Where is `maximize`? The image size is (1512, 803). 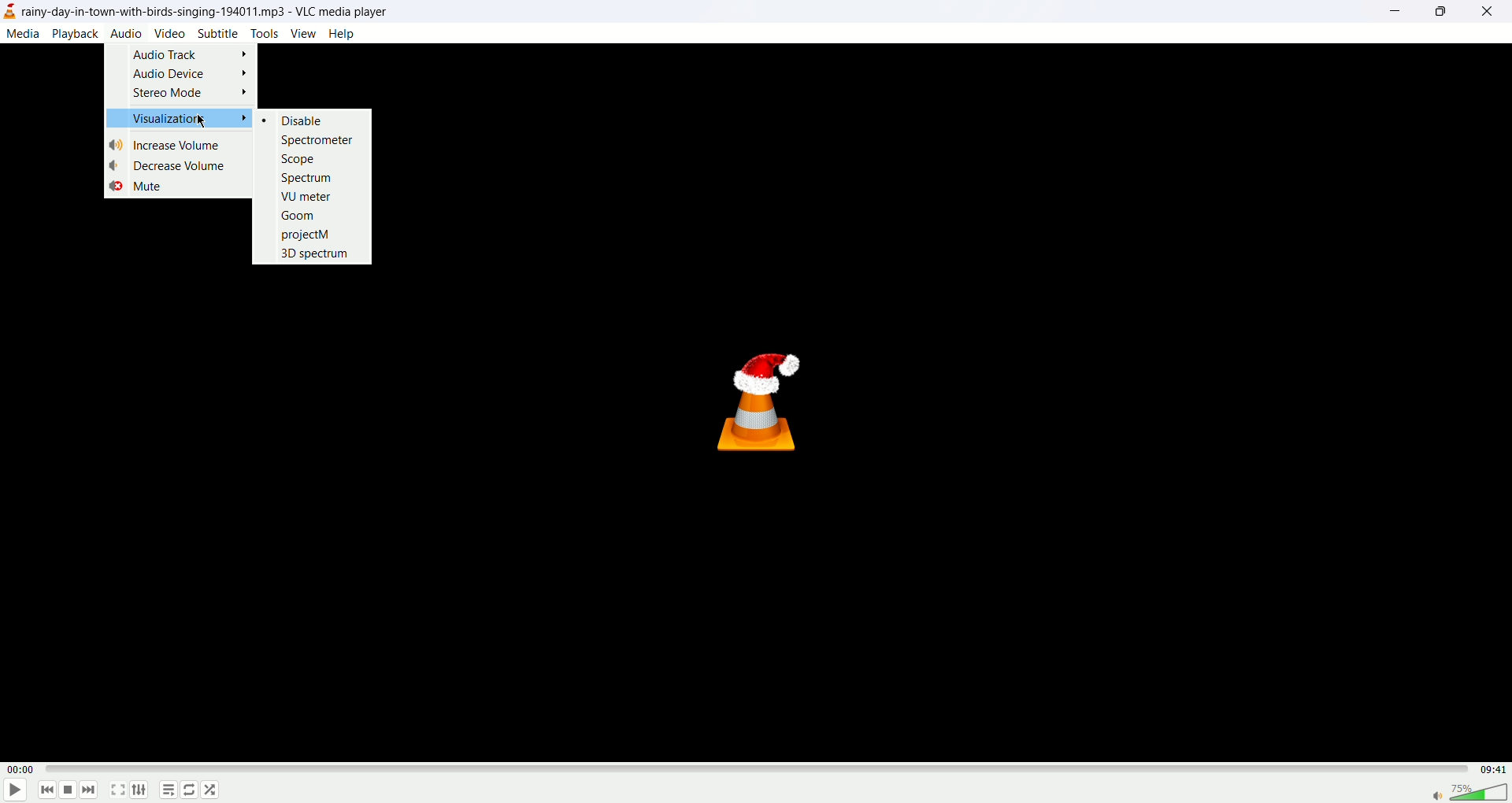 maximize is located at coordinates (1440, 12).